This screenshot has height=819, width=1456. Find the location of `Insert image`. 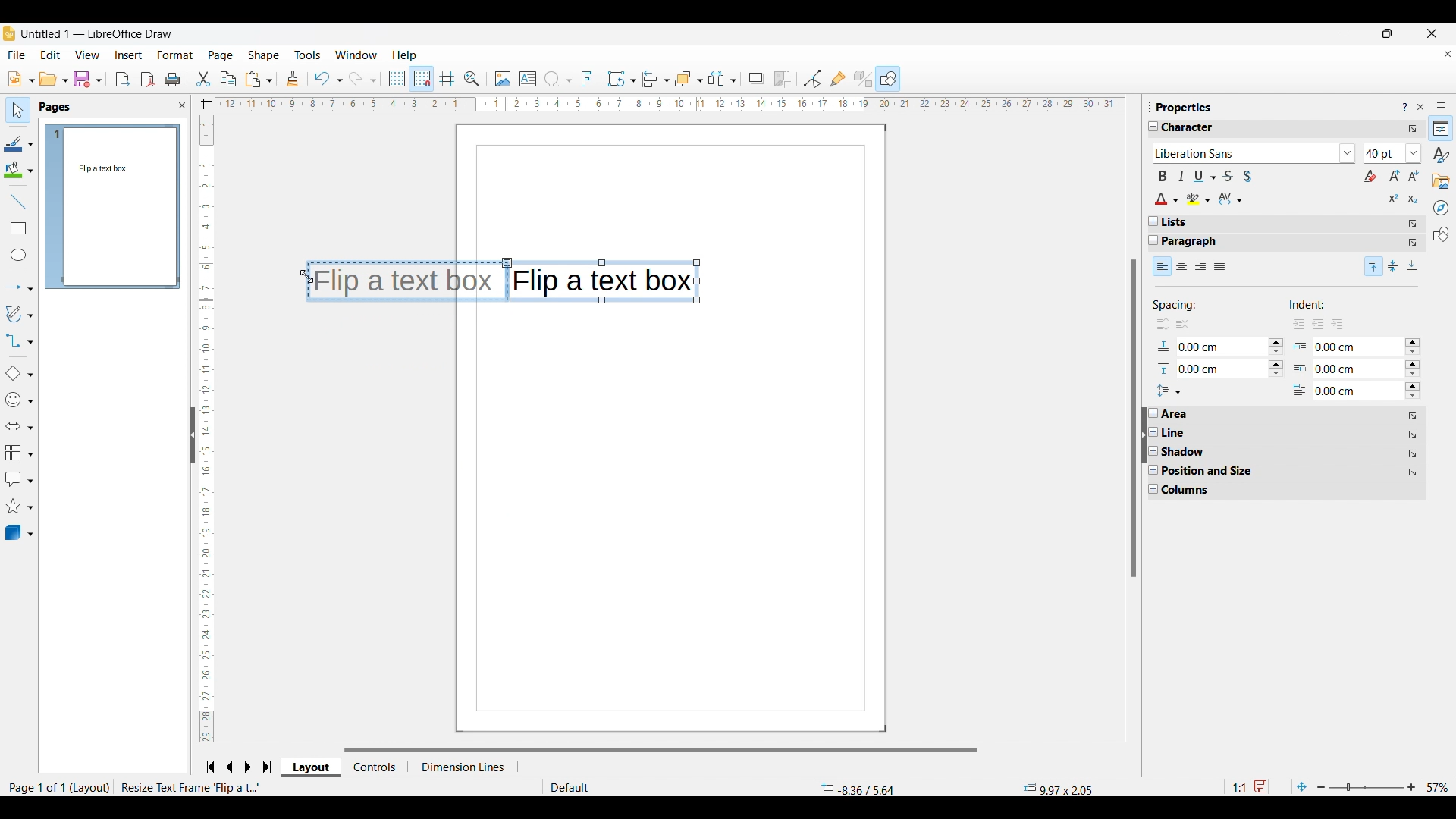

Insert image is located at coordinates (504, 80).